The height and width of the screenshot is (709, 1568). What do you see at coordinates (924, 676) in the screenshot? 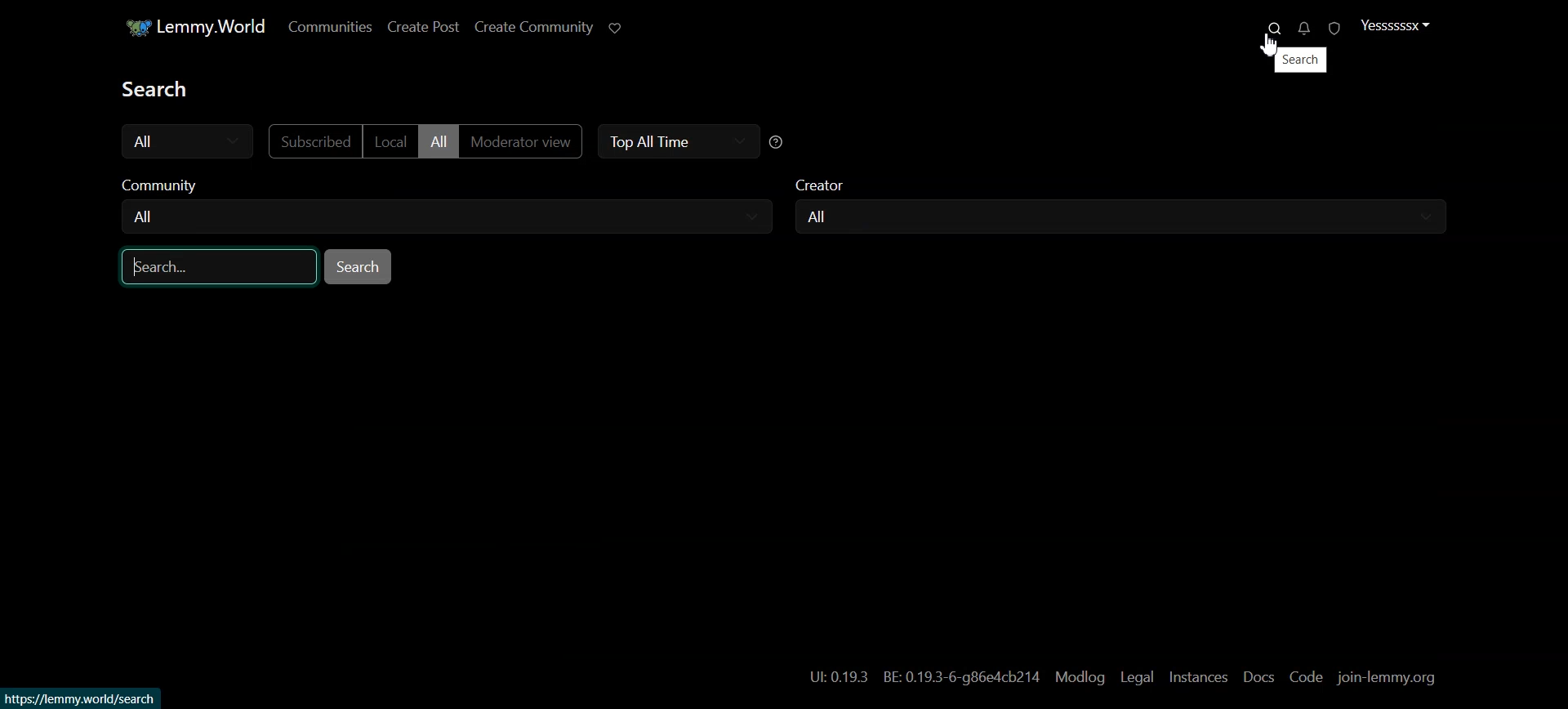
I see `hyperlink` at bounding box center [924, 676].